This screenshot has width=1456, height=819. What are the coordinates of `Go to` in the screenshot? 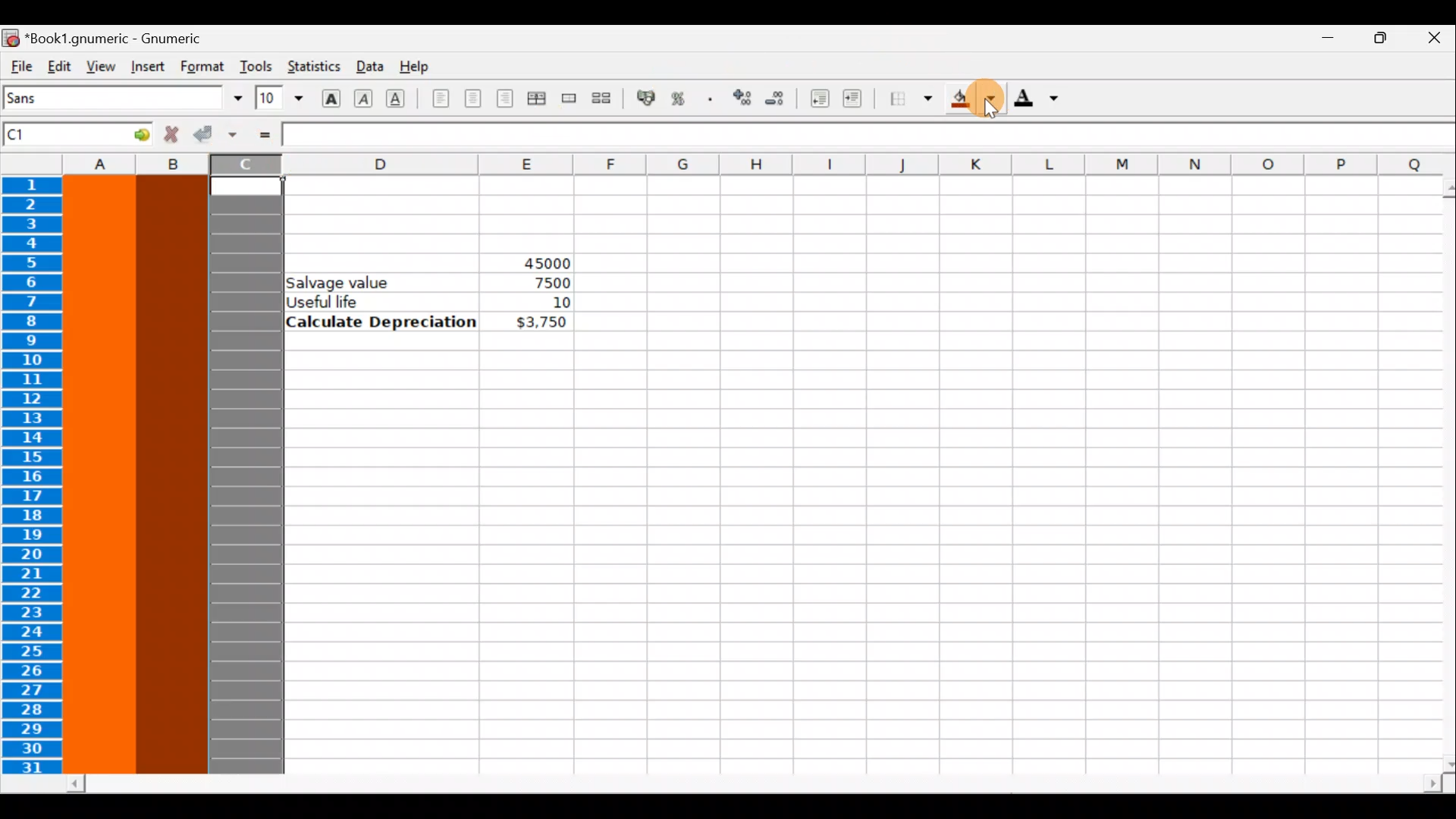 It's located at (131, 133).